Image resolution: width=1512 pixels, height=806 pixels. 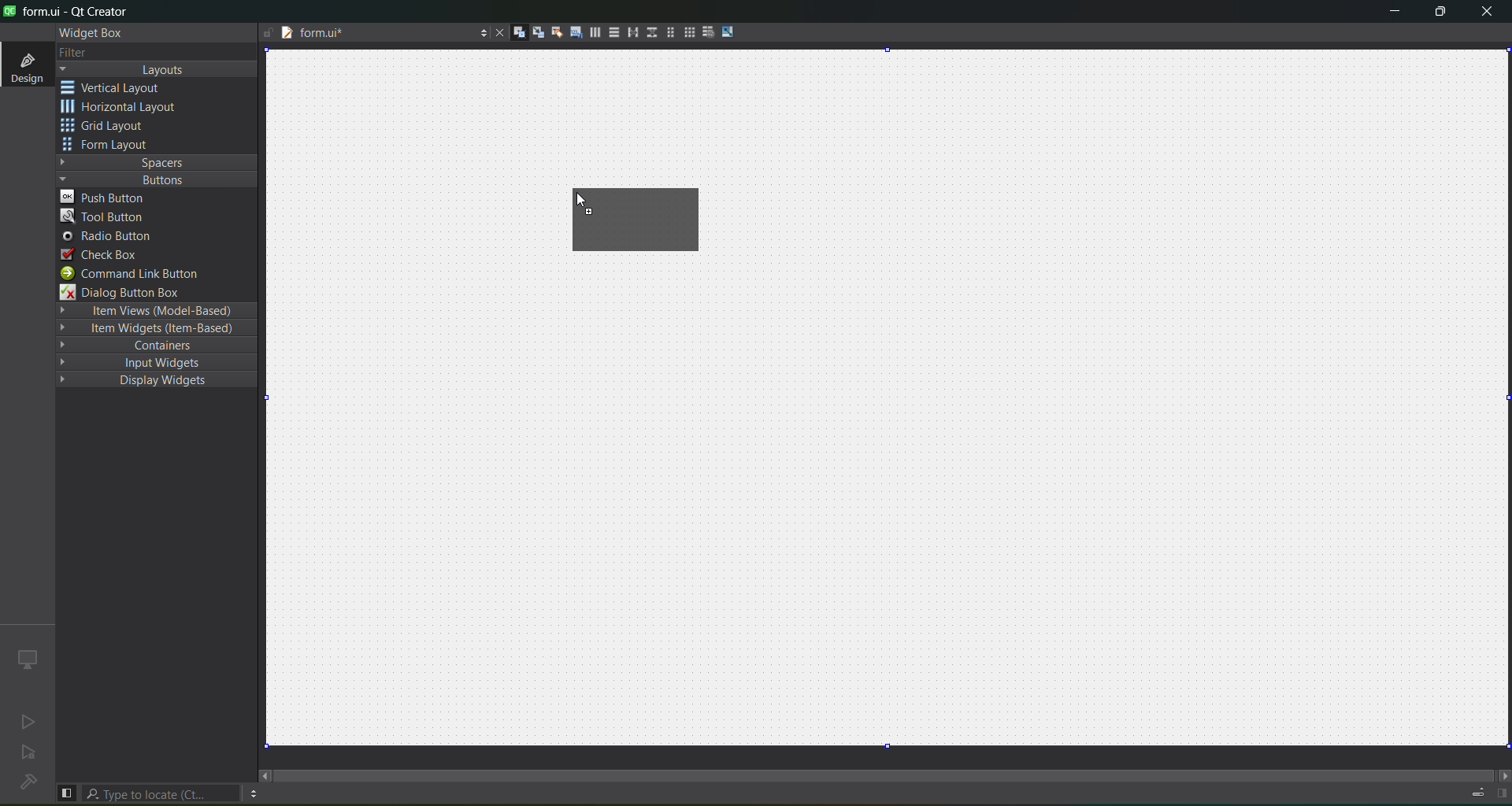 I want to click on command link button, so click(x=139, y=274).